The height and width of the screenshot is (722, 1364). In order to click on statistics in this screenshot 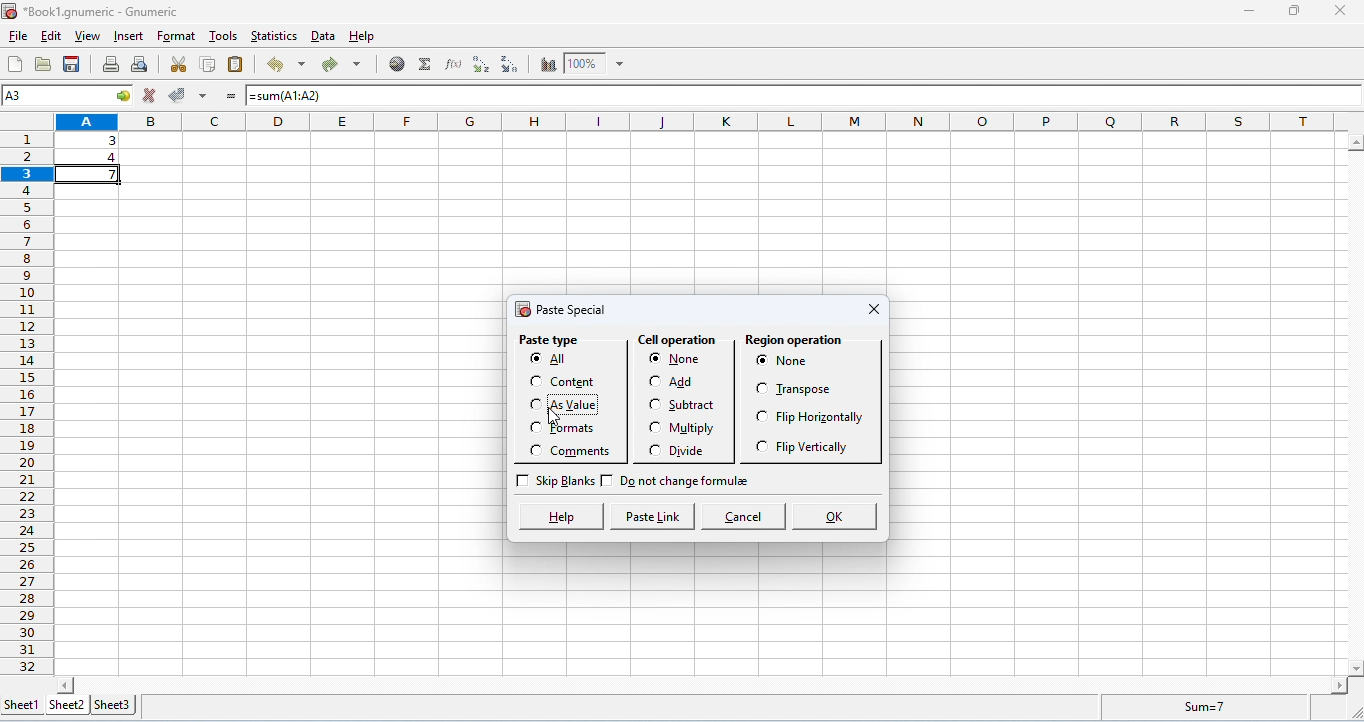, I will do `click(275, 37)`.